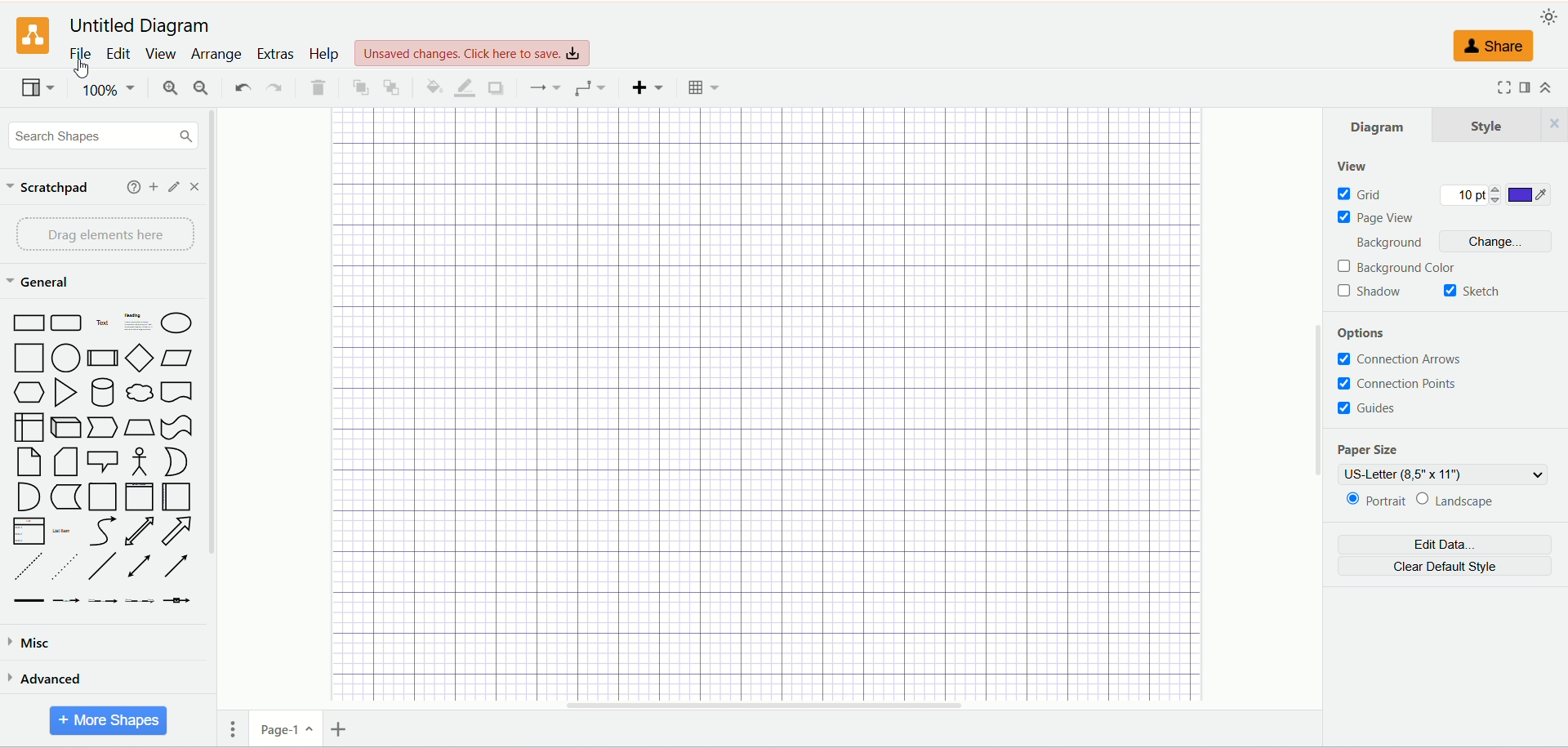  Describe the element at coordinates (65, 498) in the screenshot. I see `Data Storage` at that location.